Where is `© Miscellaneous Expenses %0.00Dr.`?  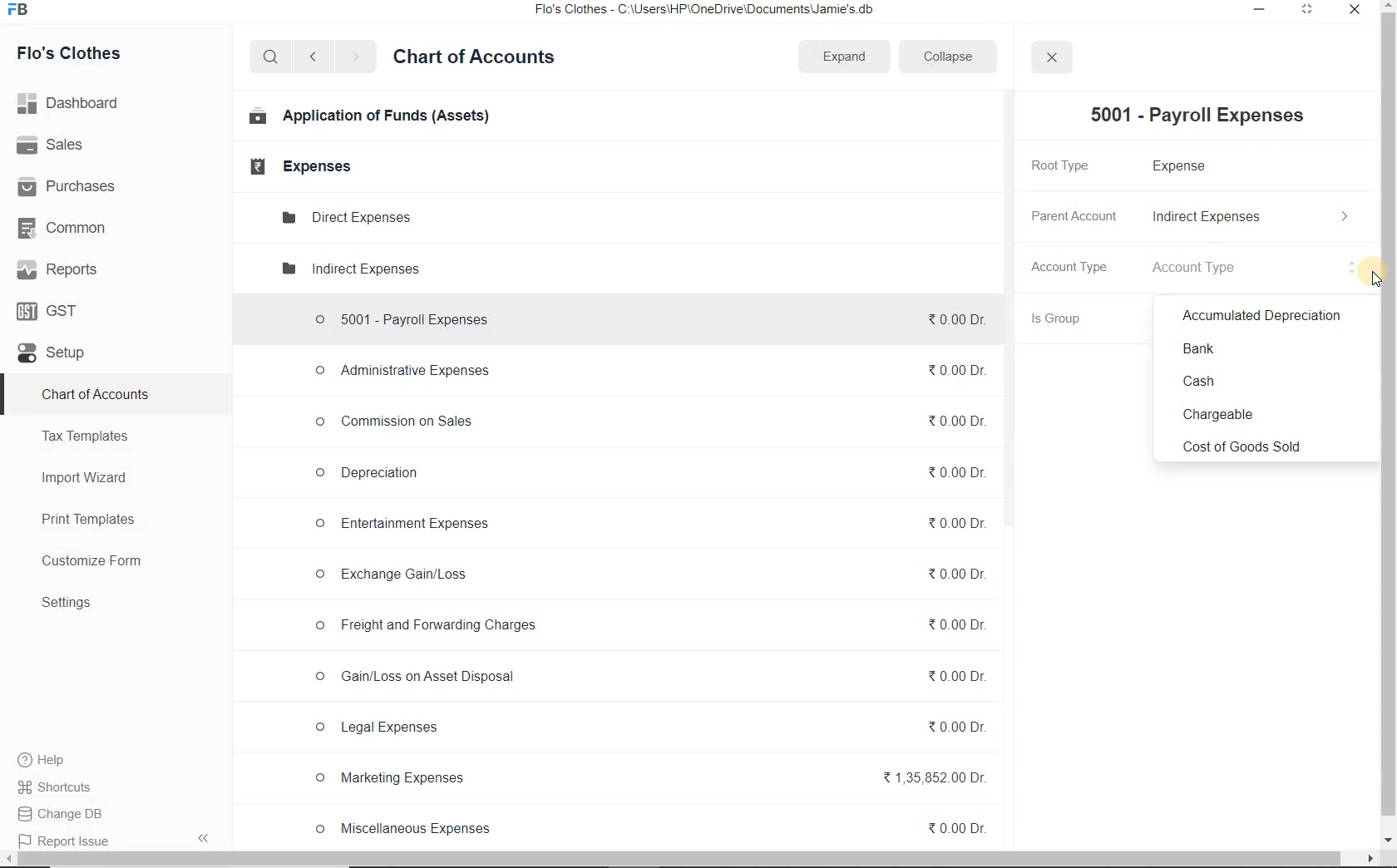 © Miscellaneous Expenses %0.00Dr. is located at coordinates (646, 827).